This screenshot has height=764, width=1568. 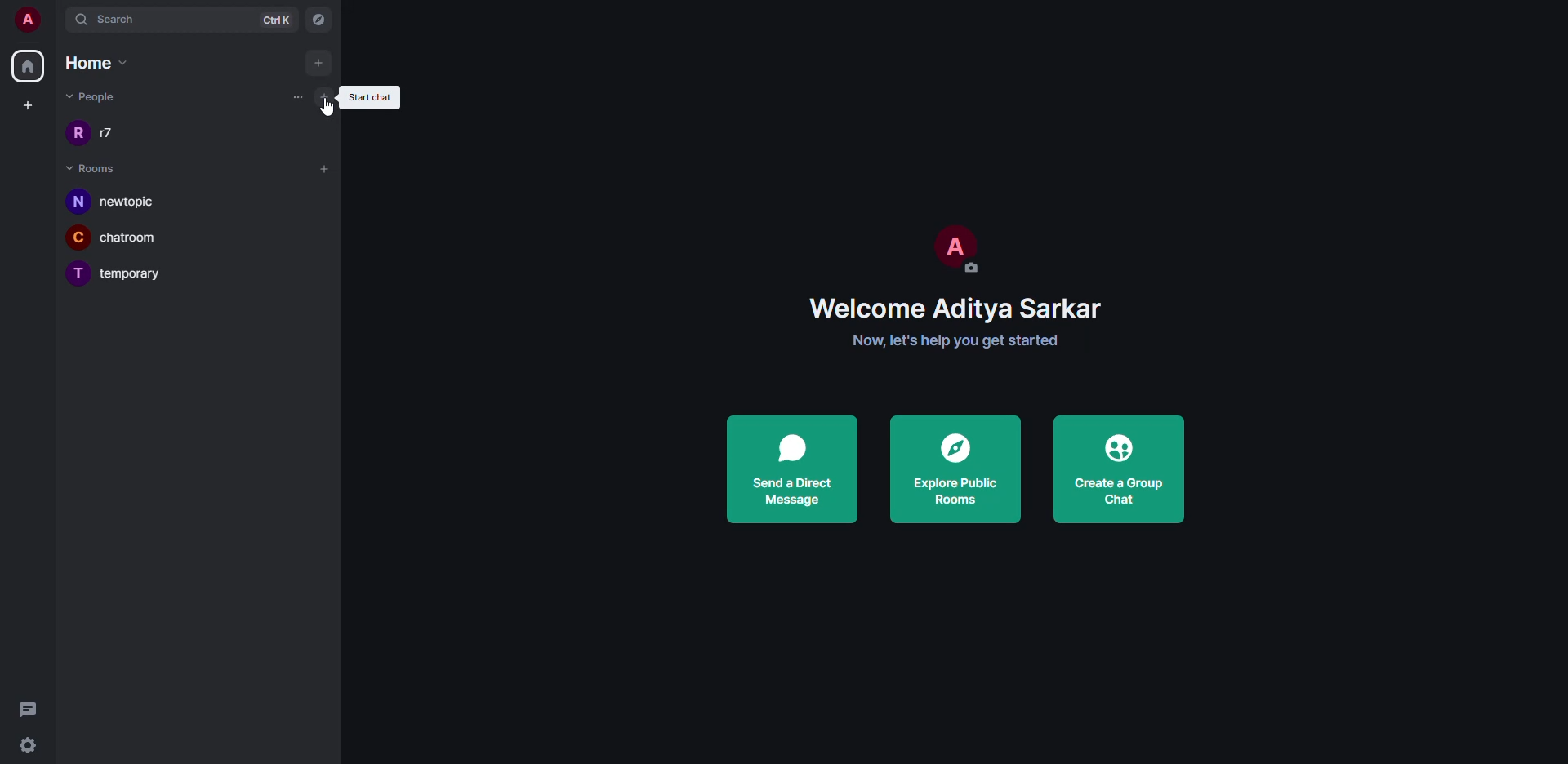 I want to click on Explore Public
Rooms, so click(x=957, y=470).